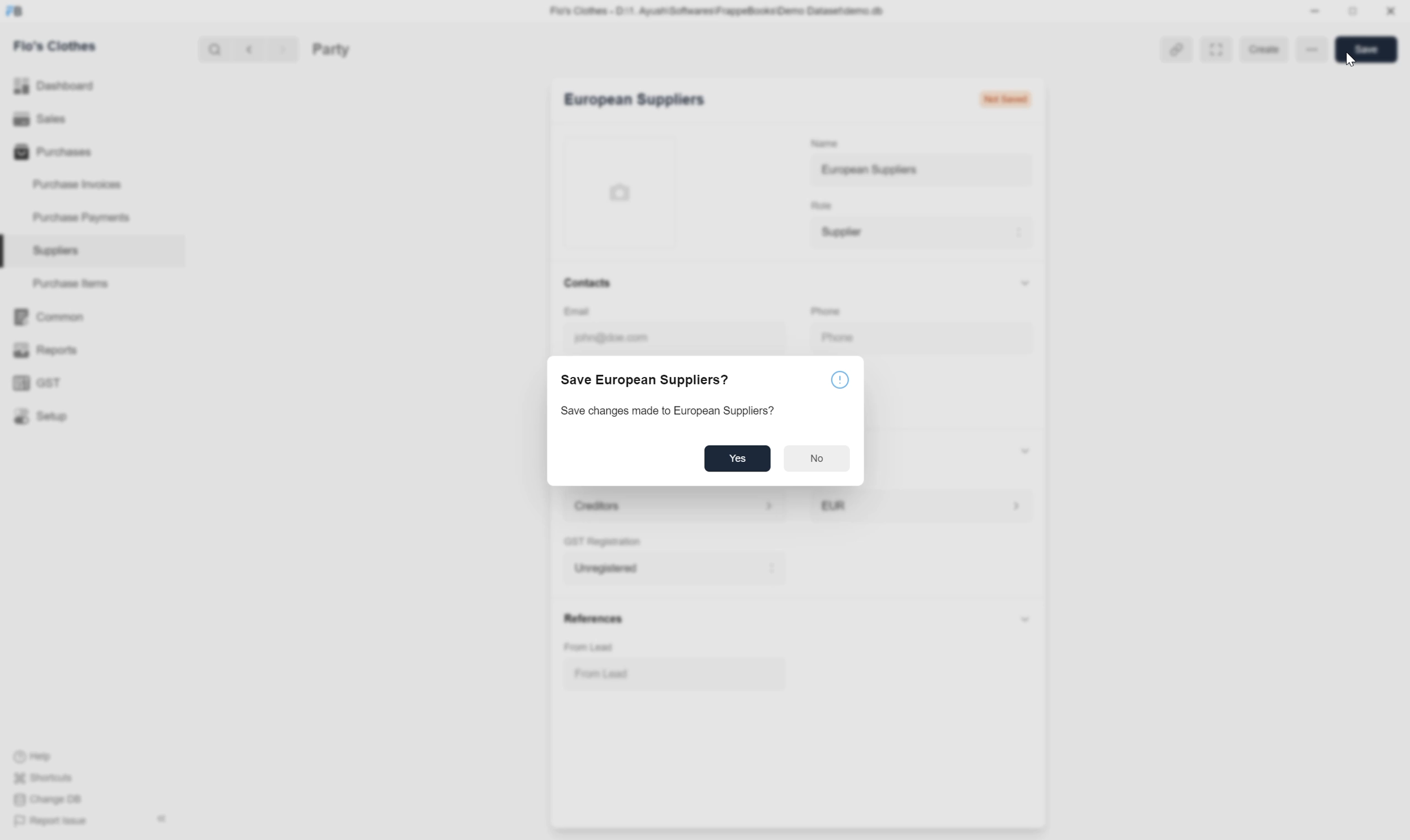 This screenshot has height=840, width=1410. Describe the element at coordinates (56, 46) in the screenshot. I see `flo's clothes` at that location.